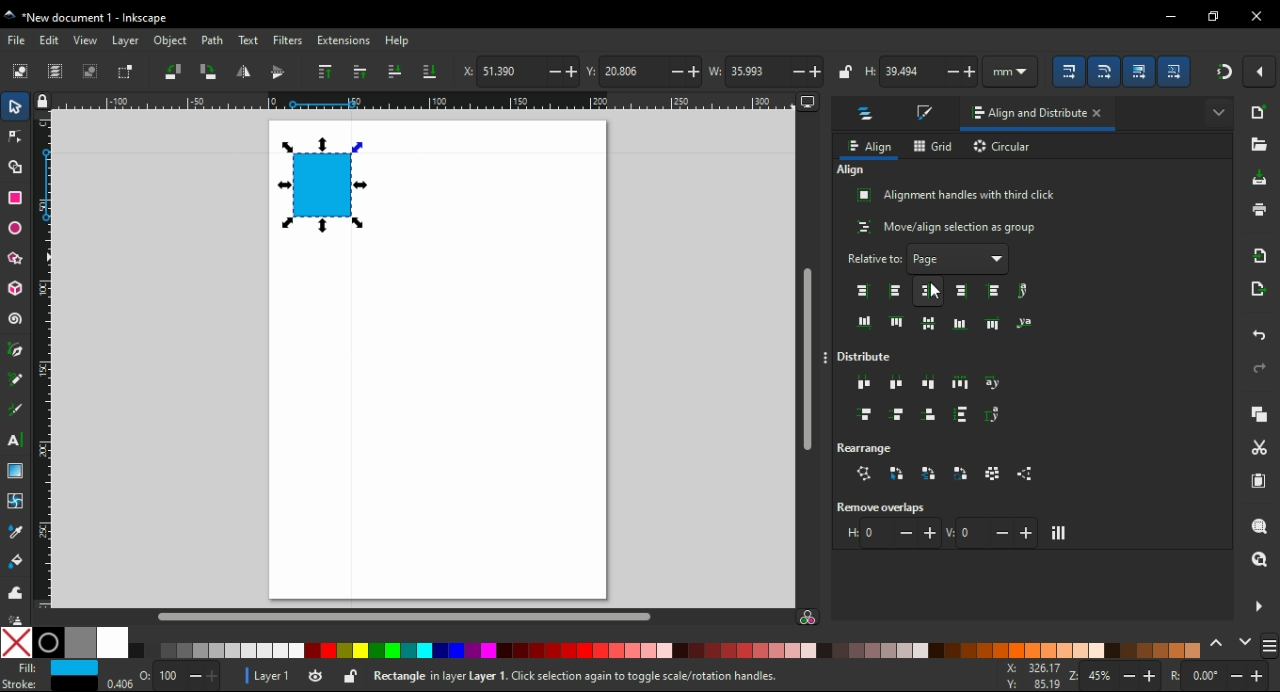 The image size is (1280, 692). I want to click on rearrange, so click(874, 446).